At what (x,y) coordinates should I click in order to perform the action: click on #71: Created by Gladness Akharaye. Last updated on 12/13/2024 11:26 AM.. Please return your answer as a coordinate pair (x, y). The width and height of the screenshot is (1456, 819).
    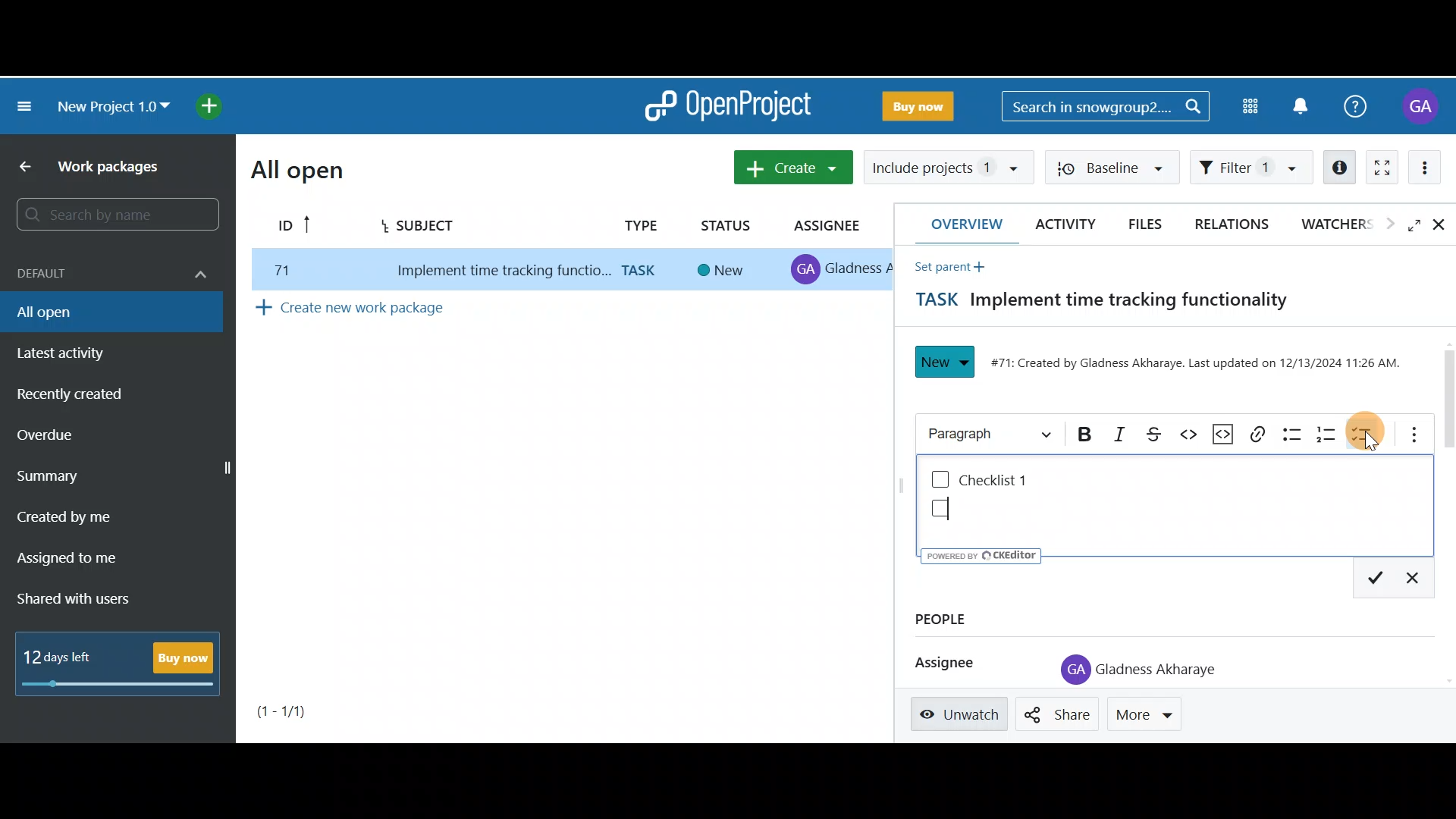
    Looking at the image, I should click on (1198, 367).